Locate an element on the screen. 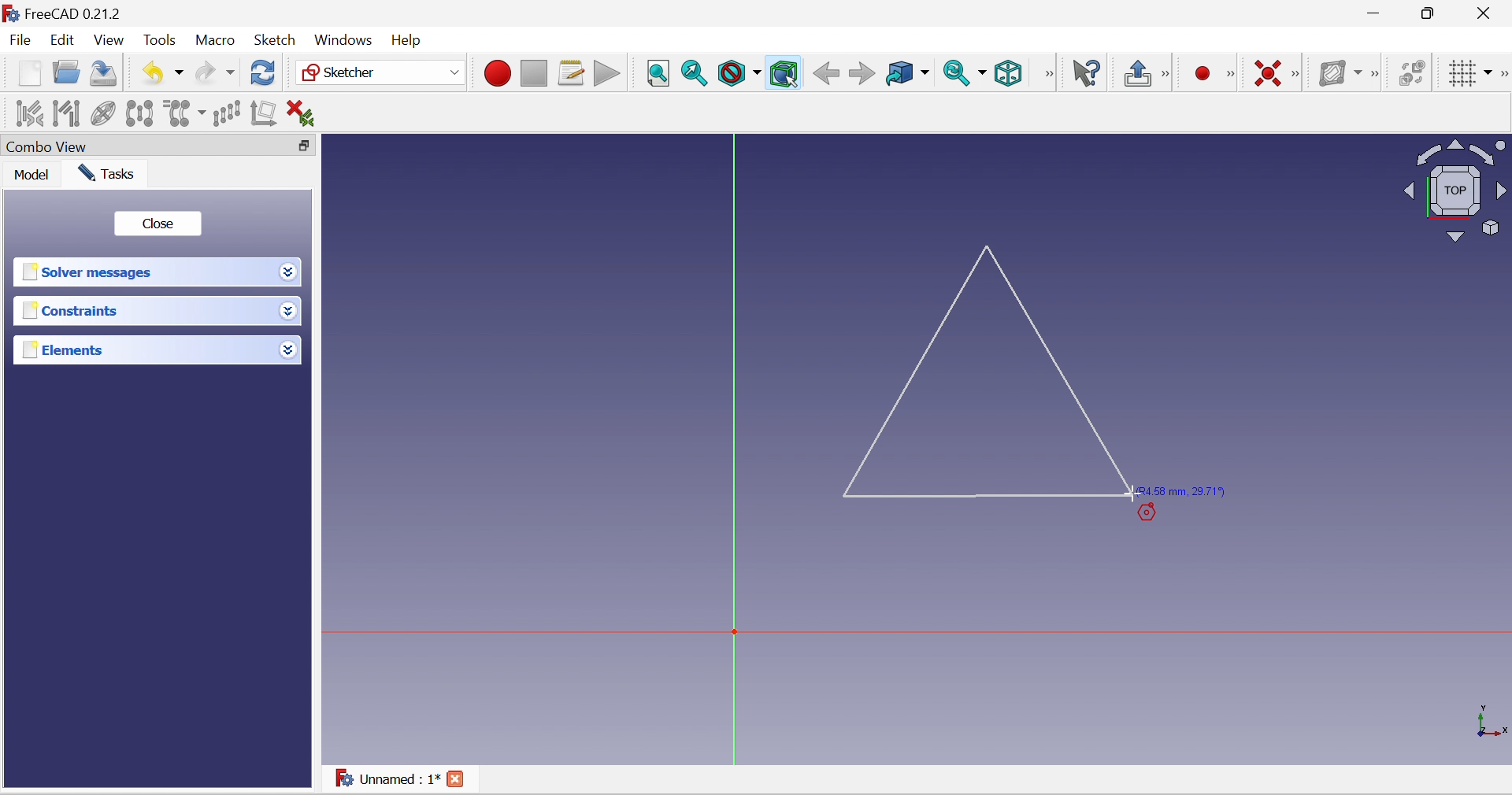  [Sketcher geometries] is located at coordinates (1232, 76).